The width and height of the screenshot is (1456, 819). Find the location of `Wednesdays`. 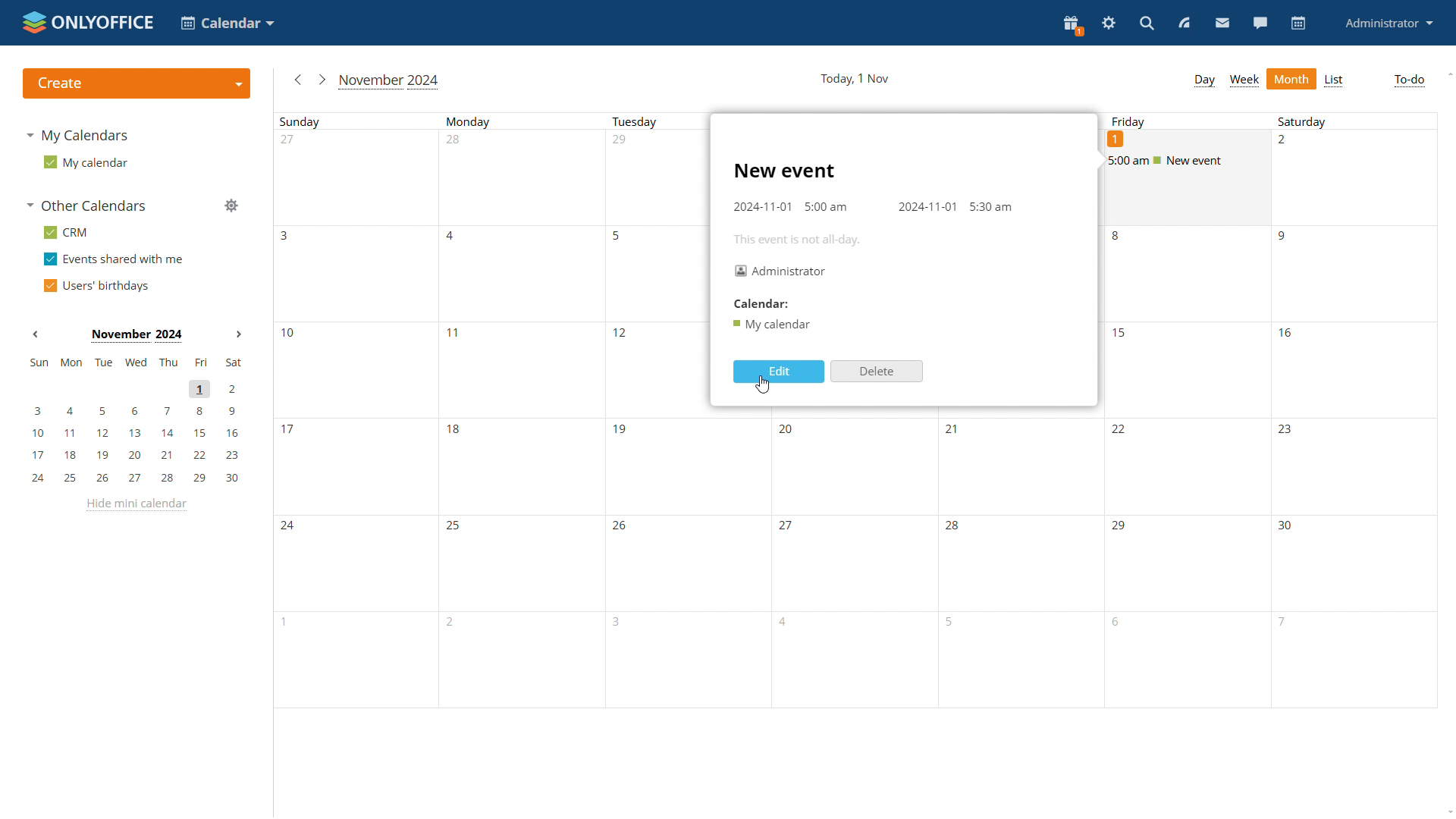

Wednesdays is located at coordinates (853, 563).